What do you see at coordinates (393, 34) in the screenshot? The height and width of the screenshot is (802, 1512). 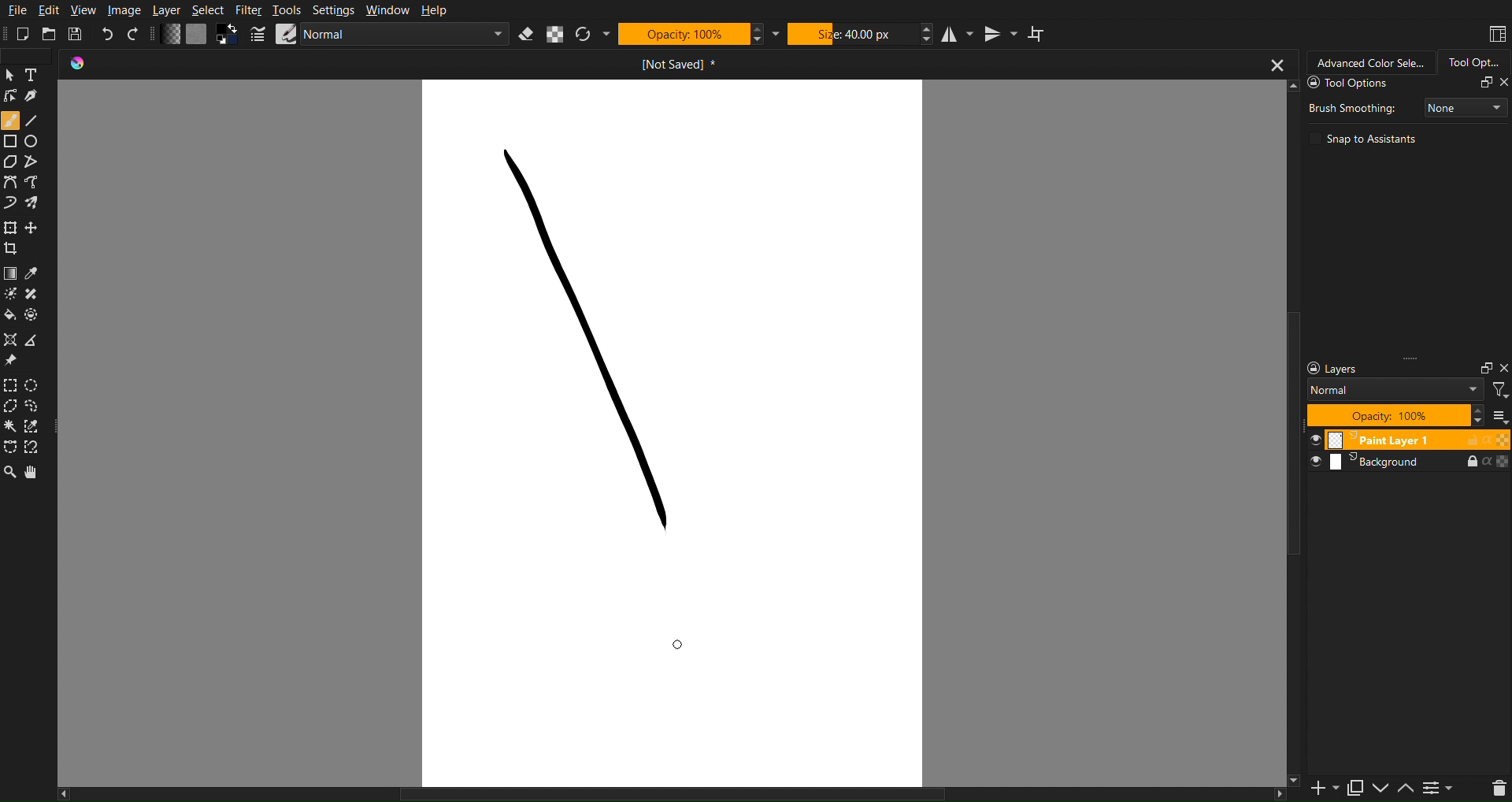 I see `Brush Settings` at bounding box center [393, 34].